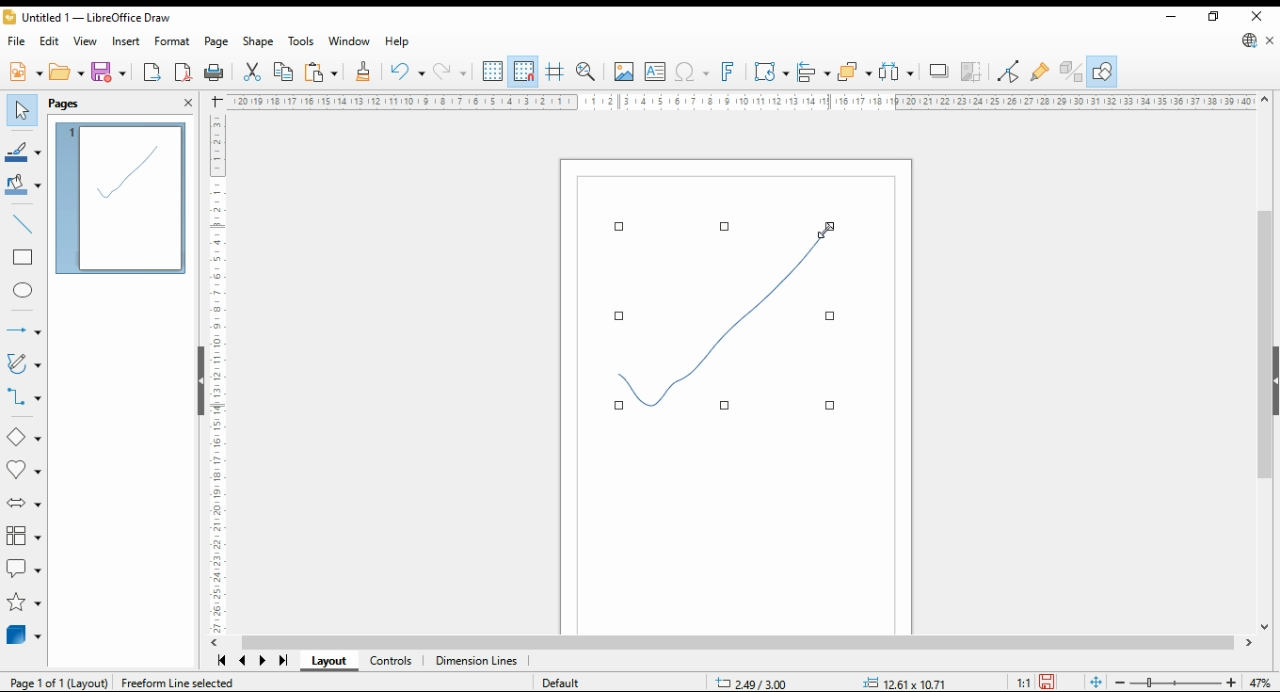 This screenshot has width=1280, height=692. I want to click on insert line , so click(25, 225).